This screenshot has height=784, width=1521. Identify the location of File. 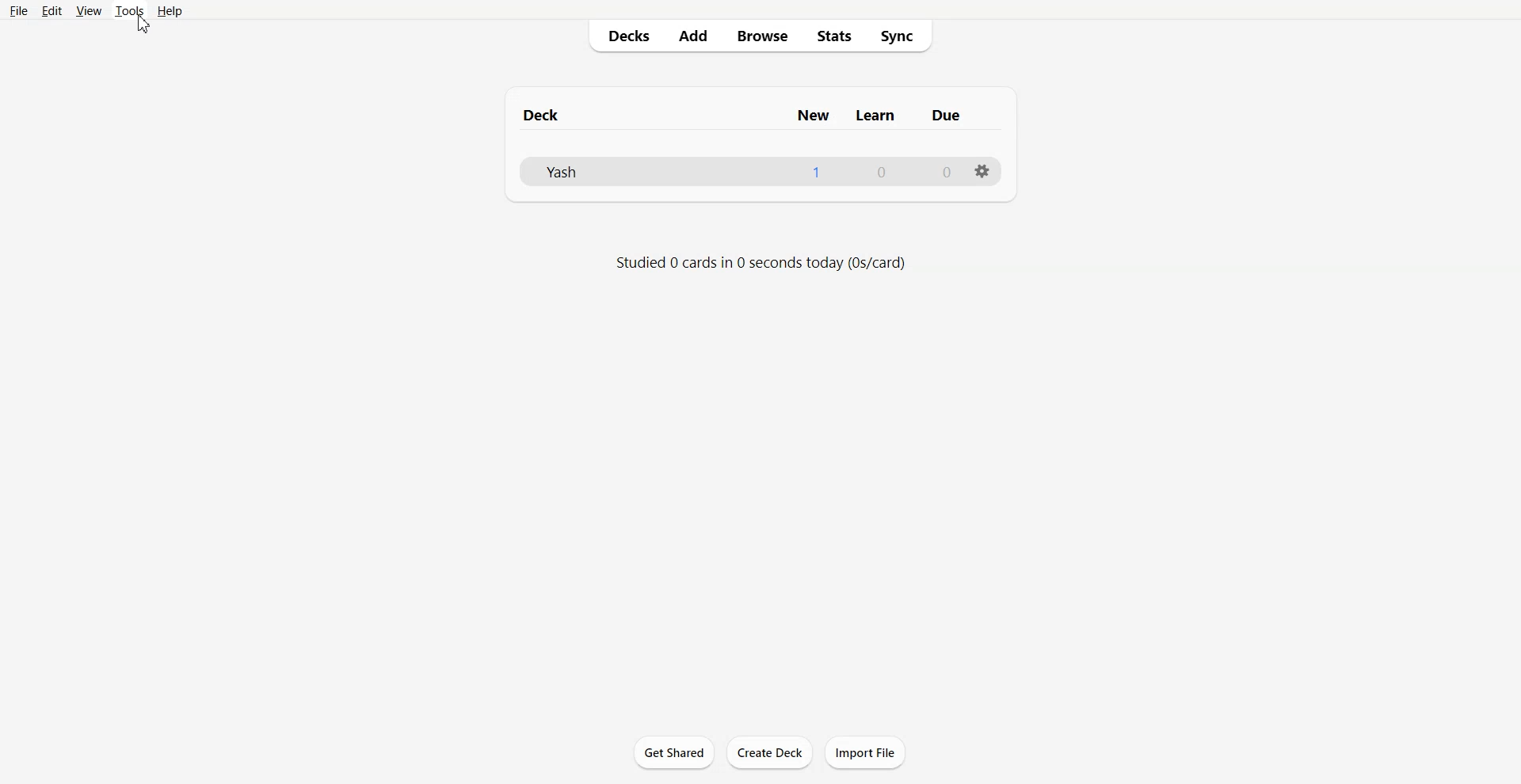
(19, 11).